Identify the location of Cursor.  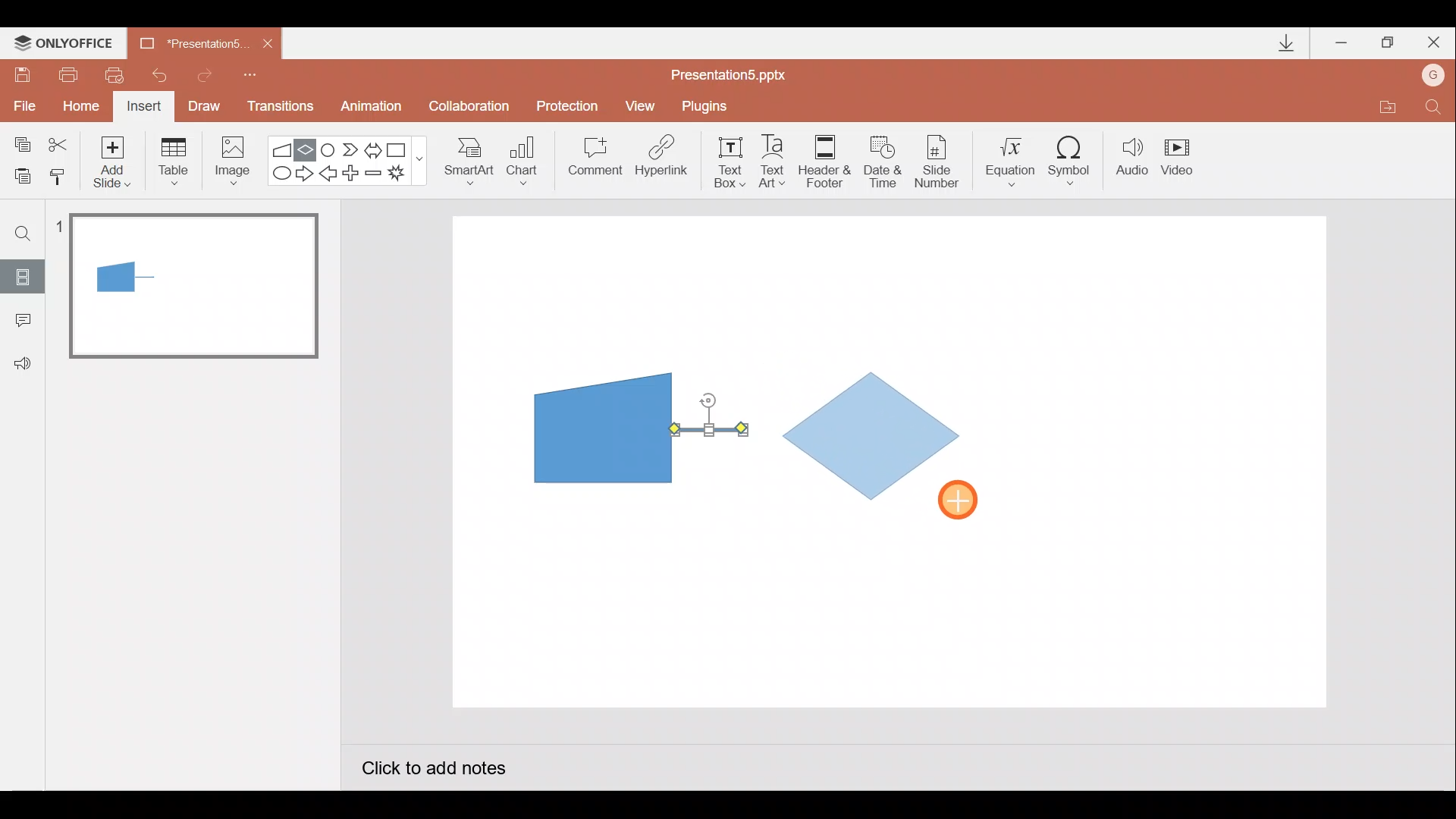
(966, 501).